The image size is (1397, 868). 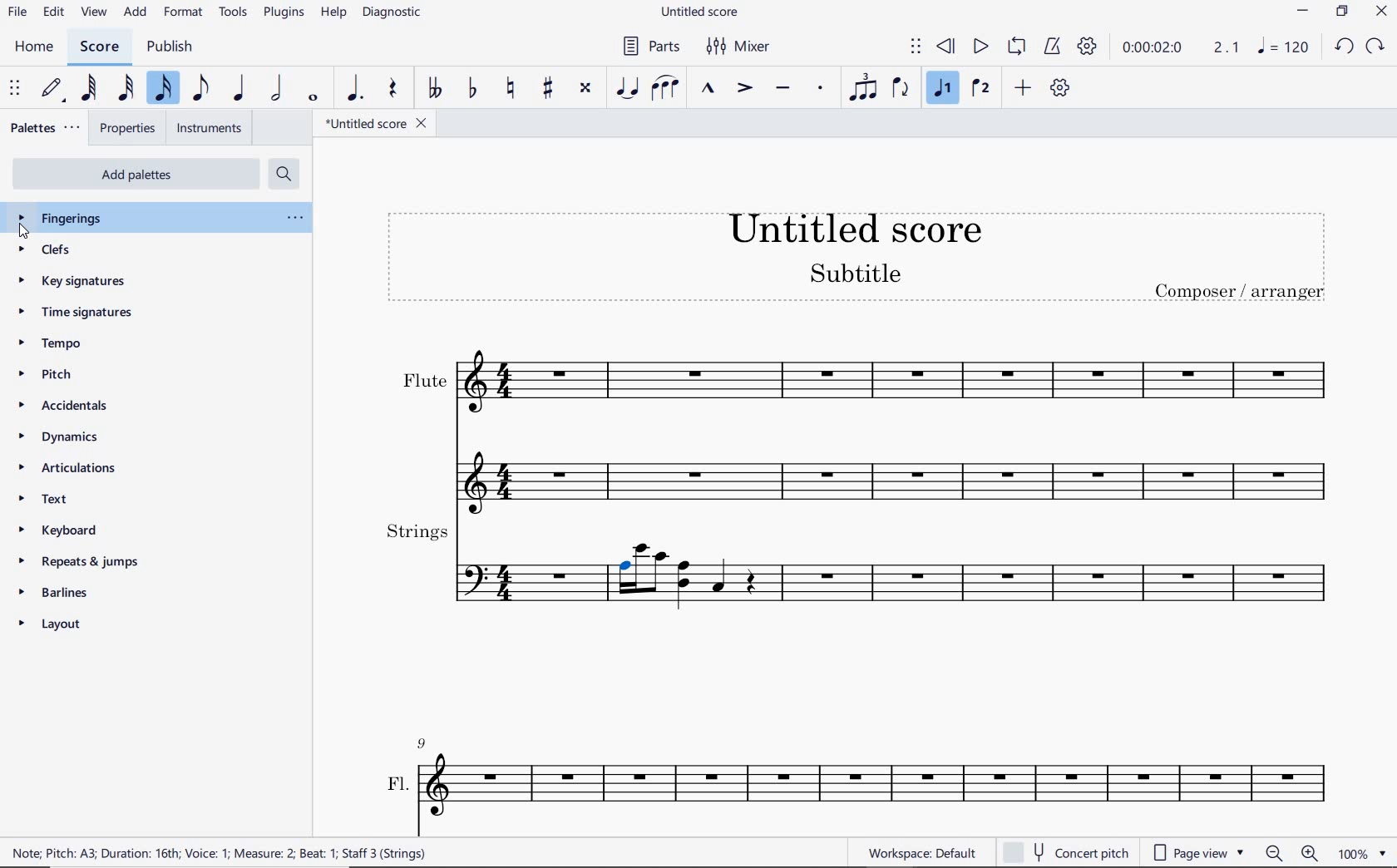 What do you see at coordinates (278, 88) in the screenshot?
I see `half note` at bounding box center [278, 88].